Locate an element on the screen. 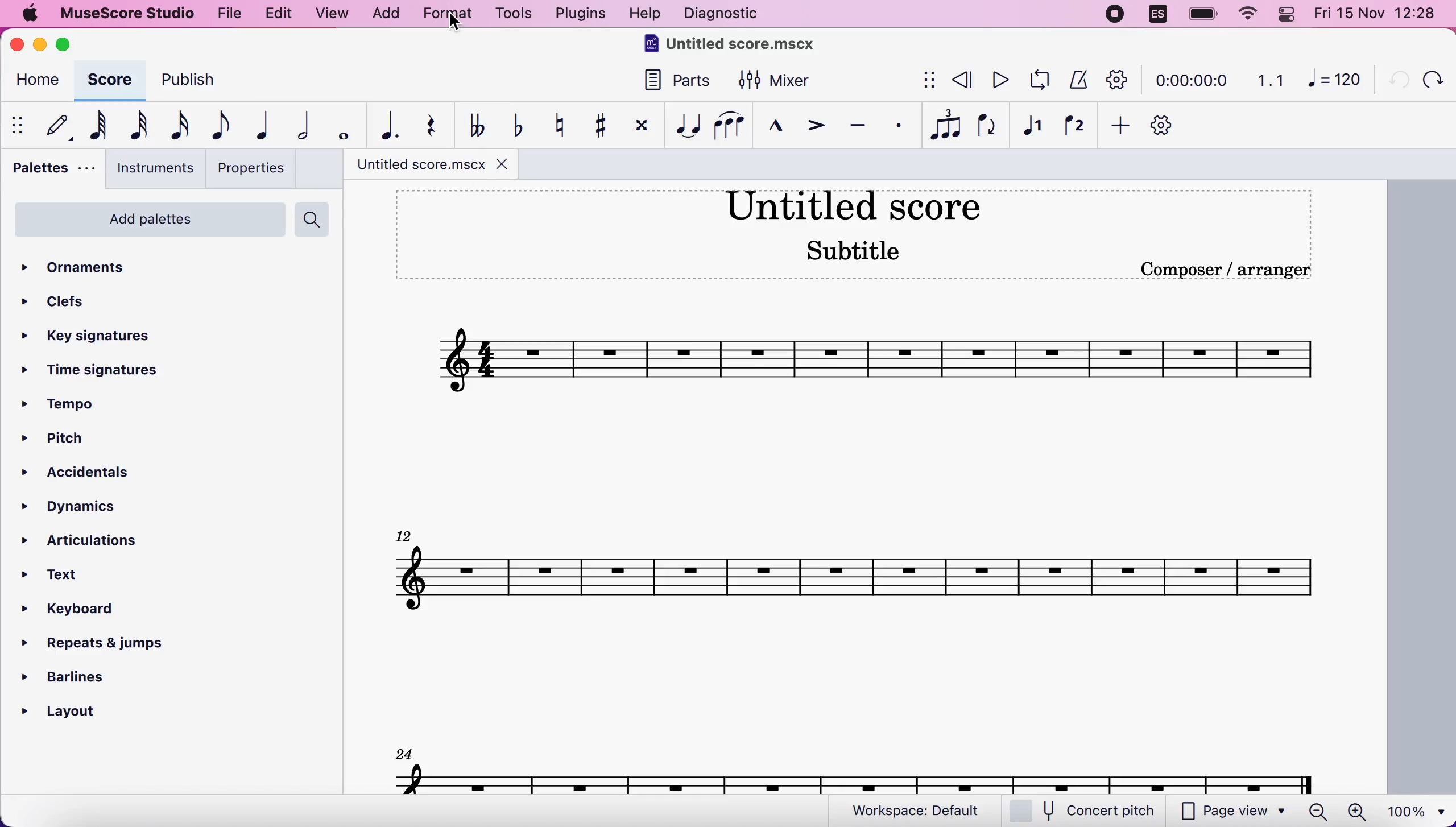 This screenshot has width=1456, height=827. language is located at coordinates (1159, 17).